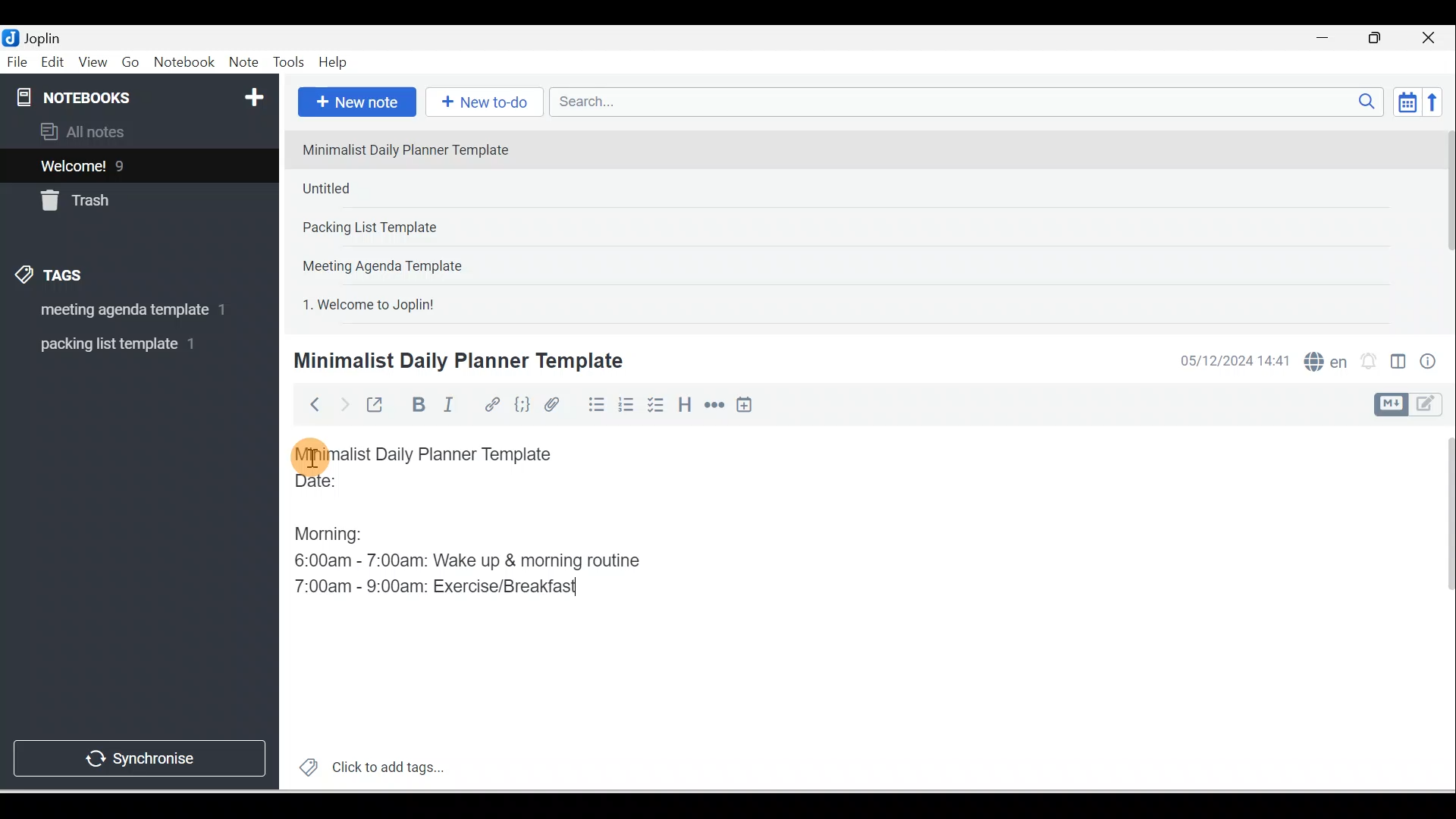 The height and width of the screenshot is (819, 1456). Describe the element at coordinates (1380, 39) in the screenshot. I see `Maximise` at that location.